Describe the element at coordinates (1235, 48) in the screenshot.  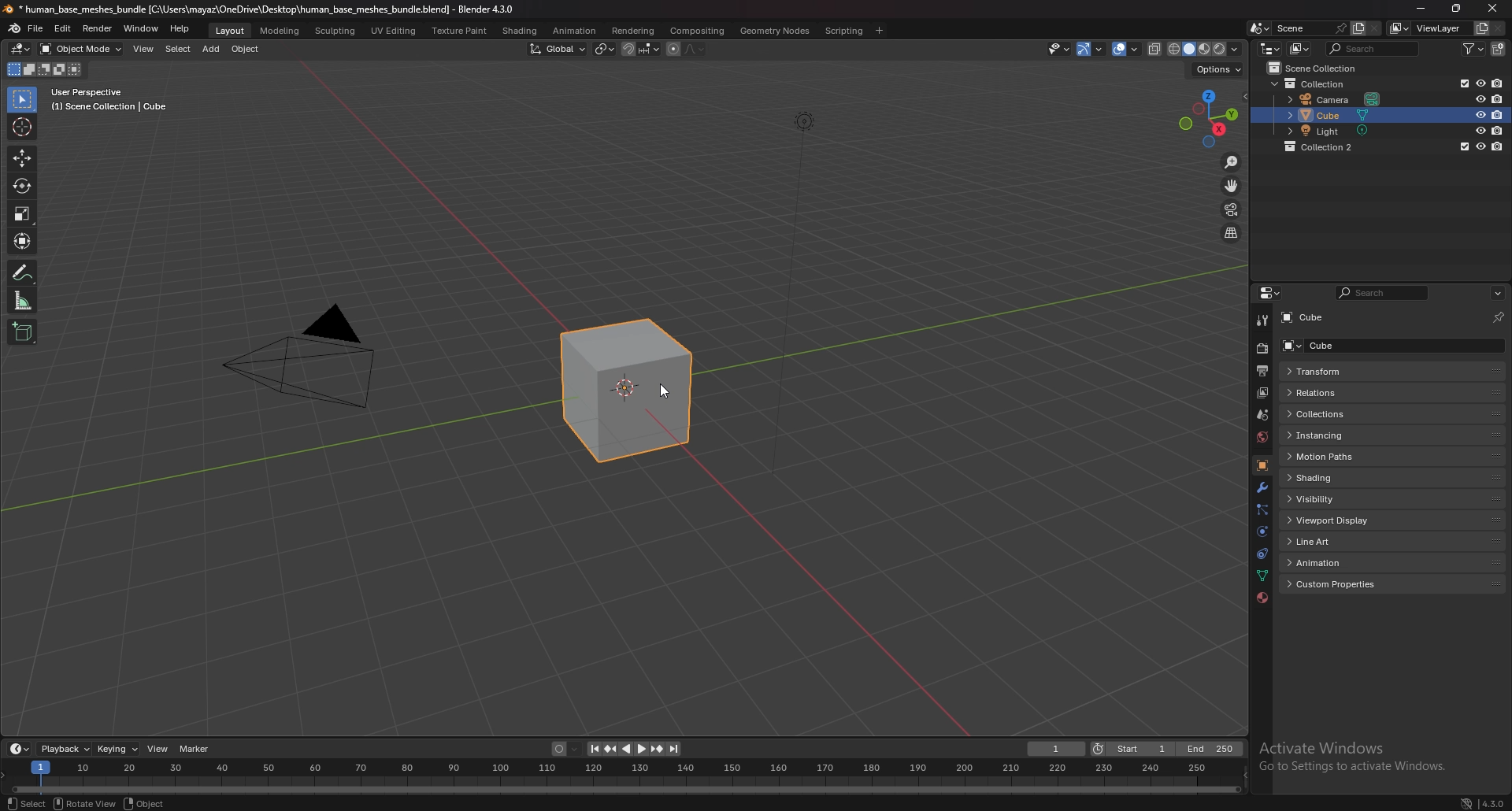
I see `shading` at that location.